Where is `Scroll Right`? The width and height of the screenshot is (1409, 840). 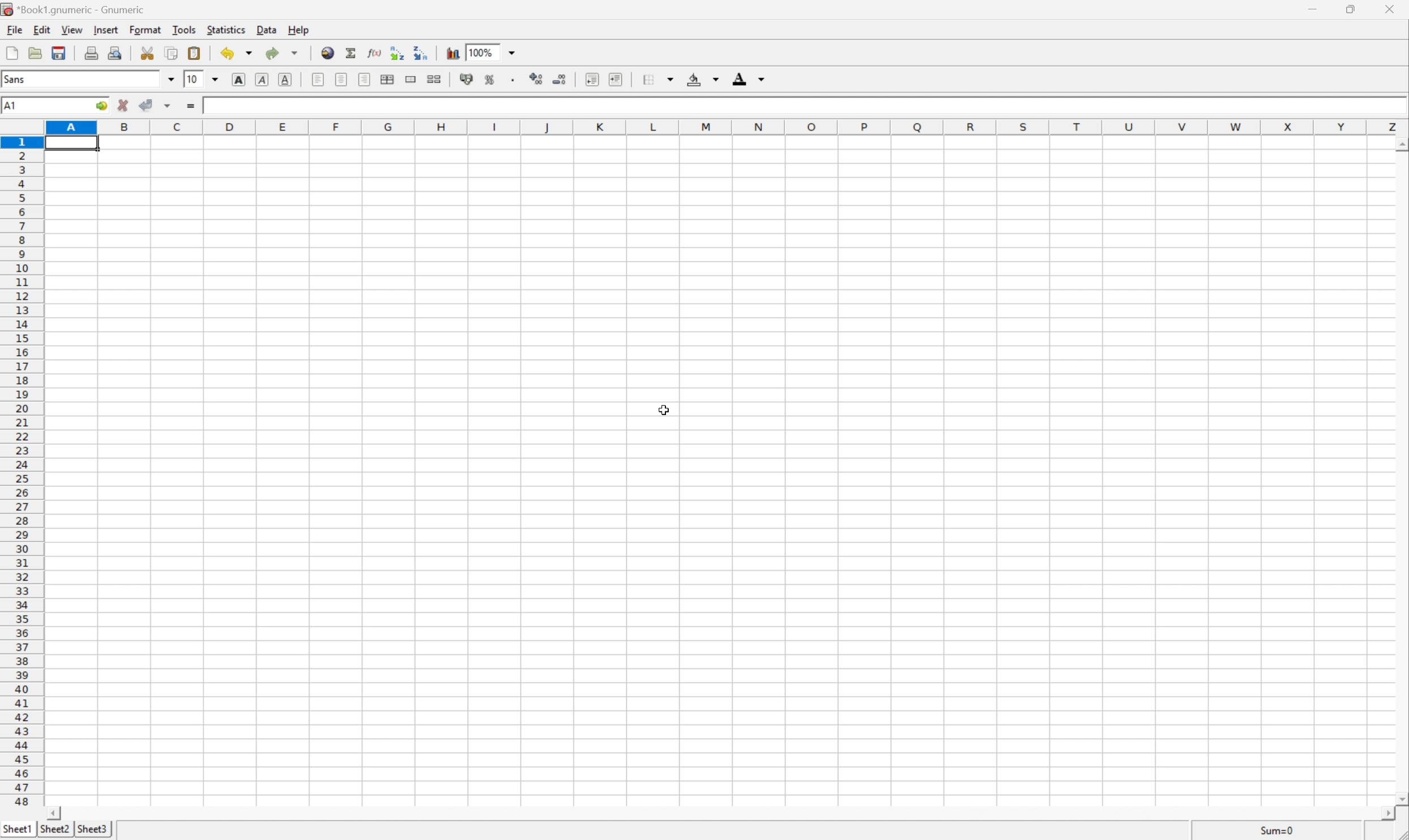 Scroll Right is located at coordinates (1380, 813).